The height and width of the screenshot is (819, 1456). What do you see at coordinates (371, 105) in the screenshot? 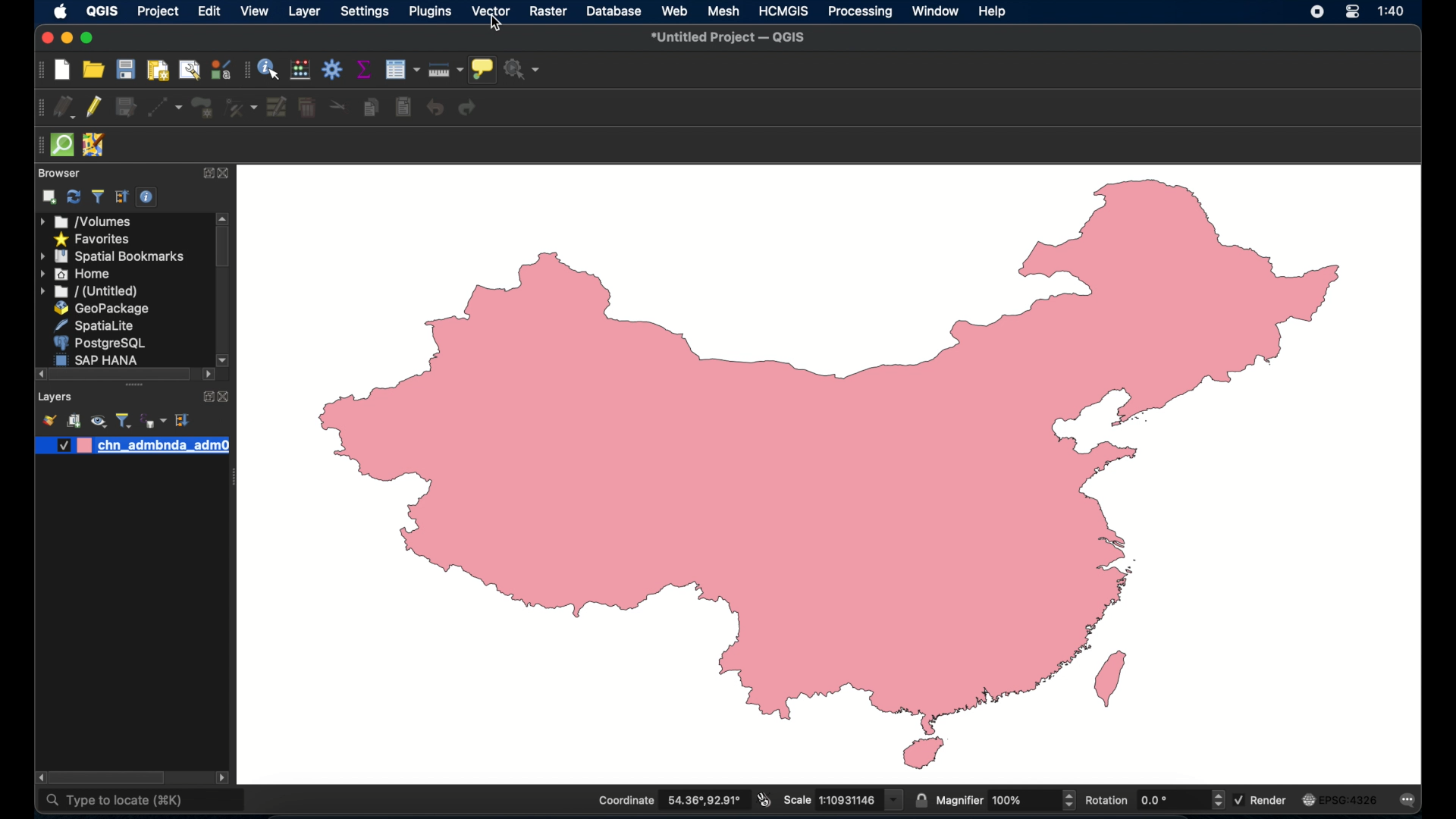
I see `copy features` at bounding box center [371, 105].